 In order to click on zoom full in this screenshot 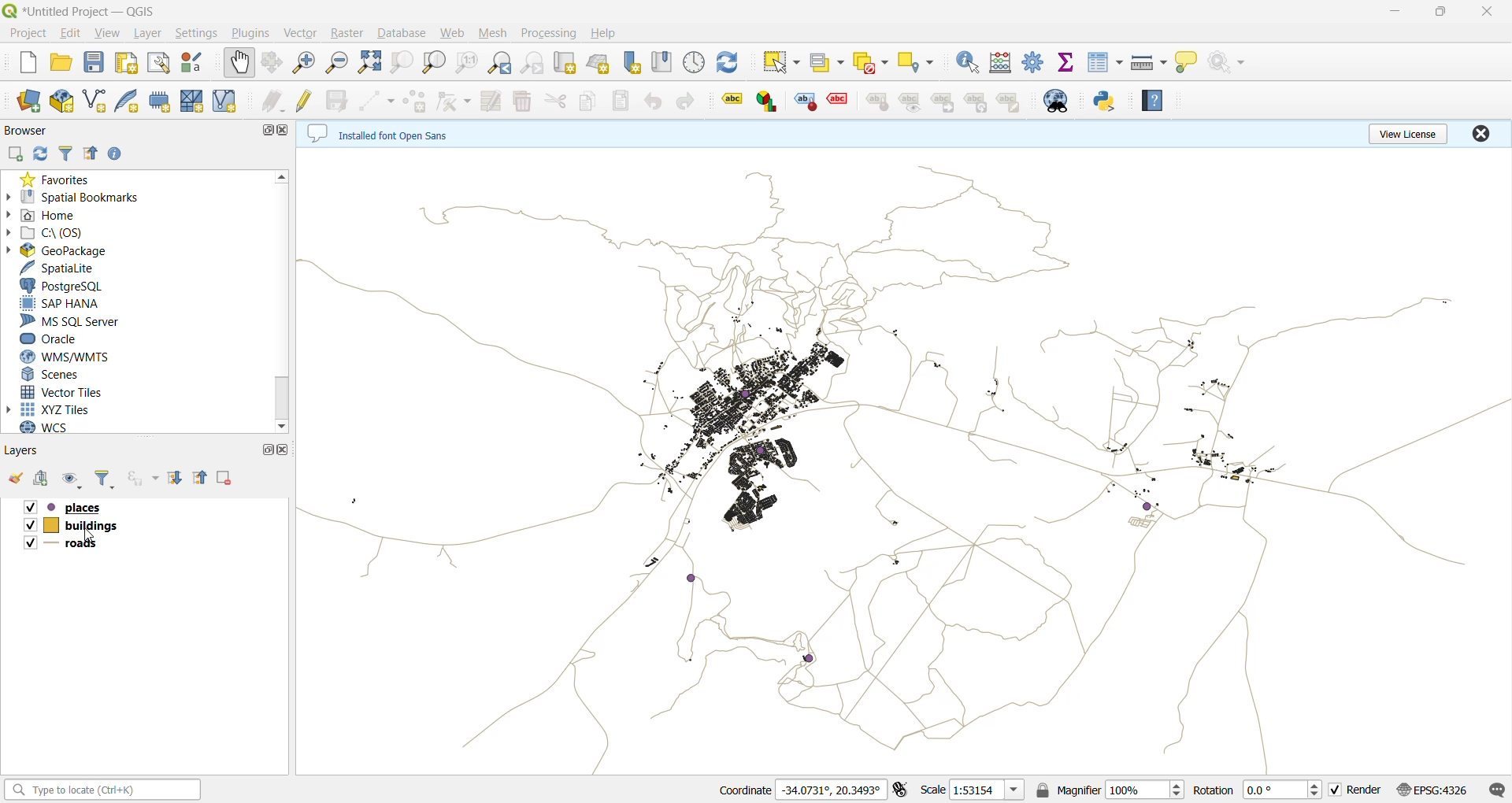, I will do `click(371, 62)`.